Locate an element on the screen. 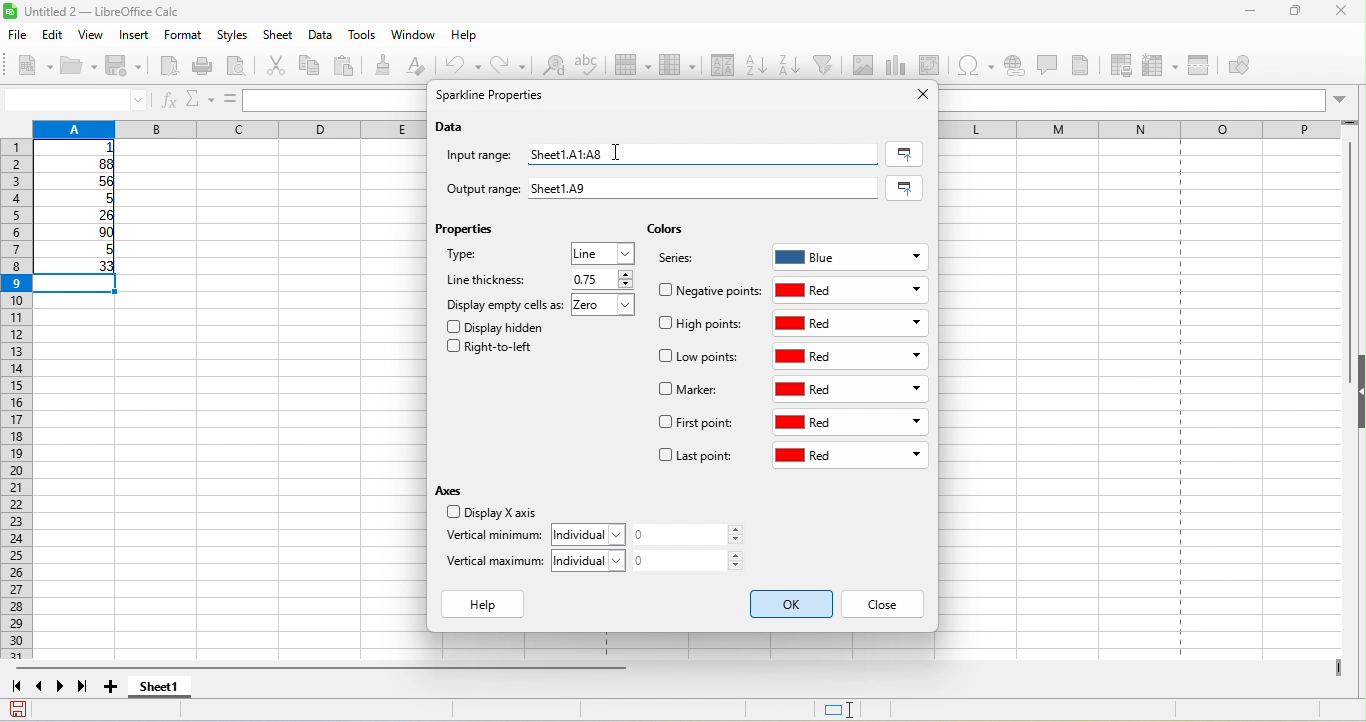 The height and width of the screenshot is (722, 1366). column headingas is located at coordinates (1151, 129).